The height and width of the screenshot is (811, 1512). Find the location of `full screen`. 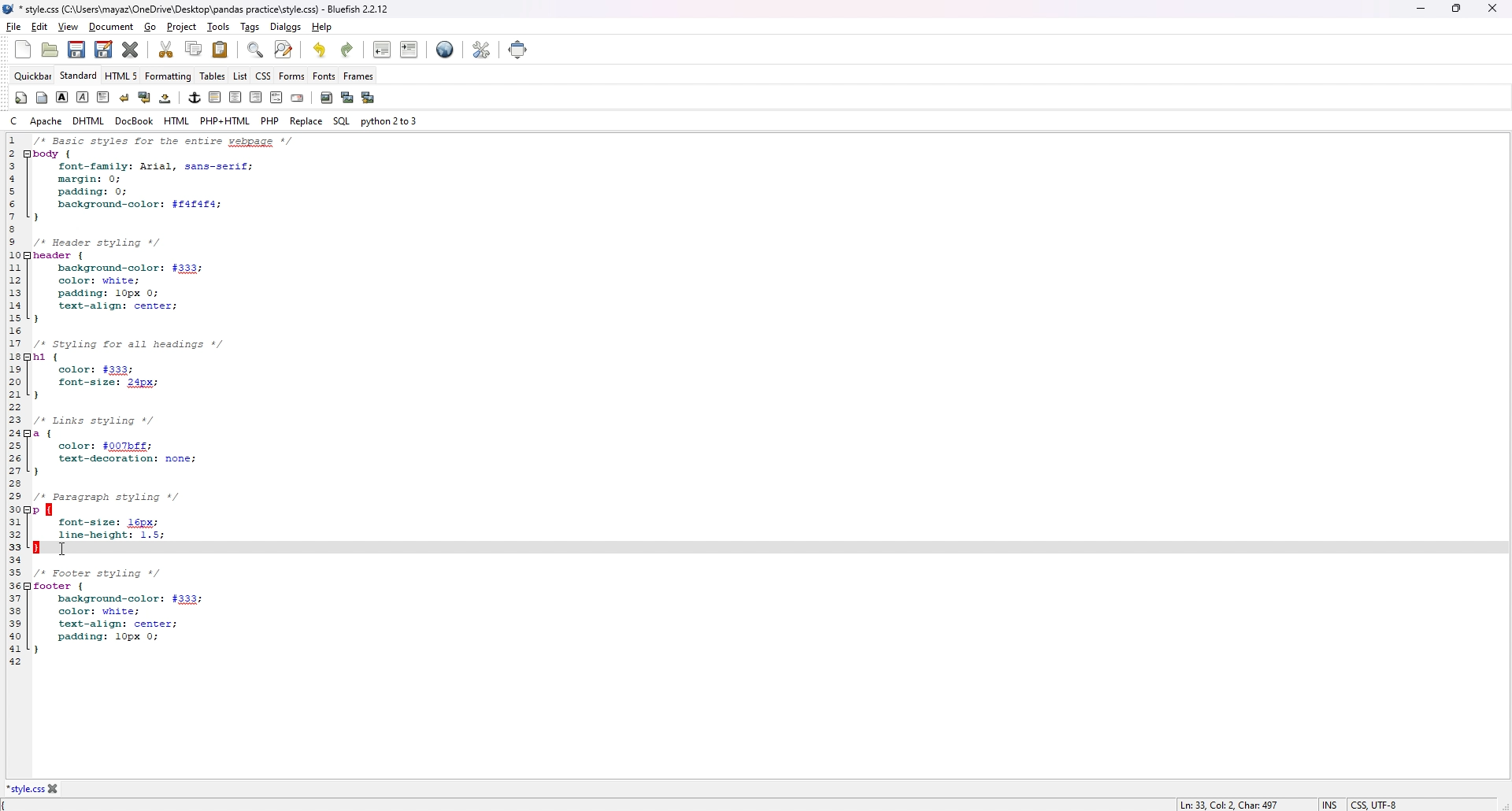

full screen is located at coordinates (517, 50).